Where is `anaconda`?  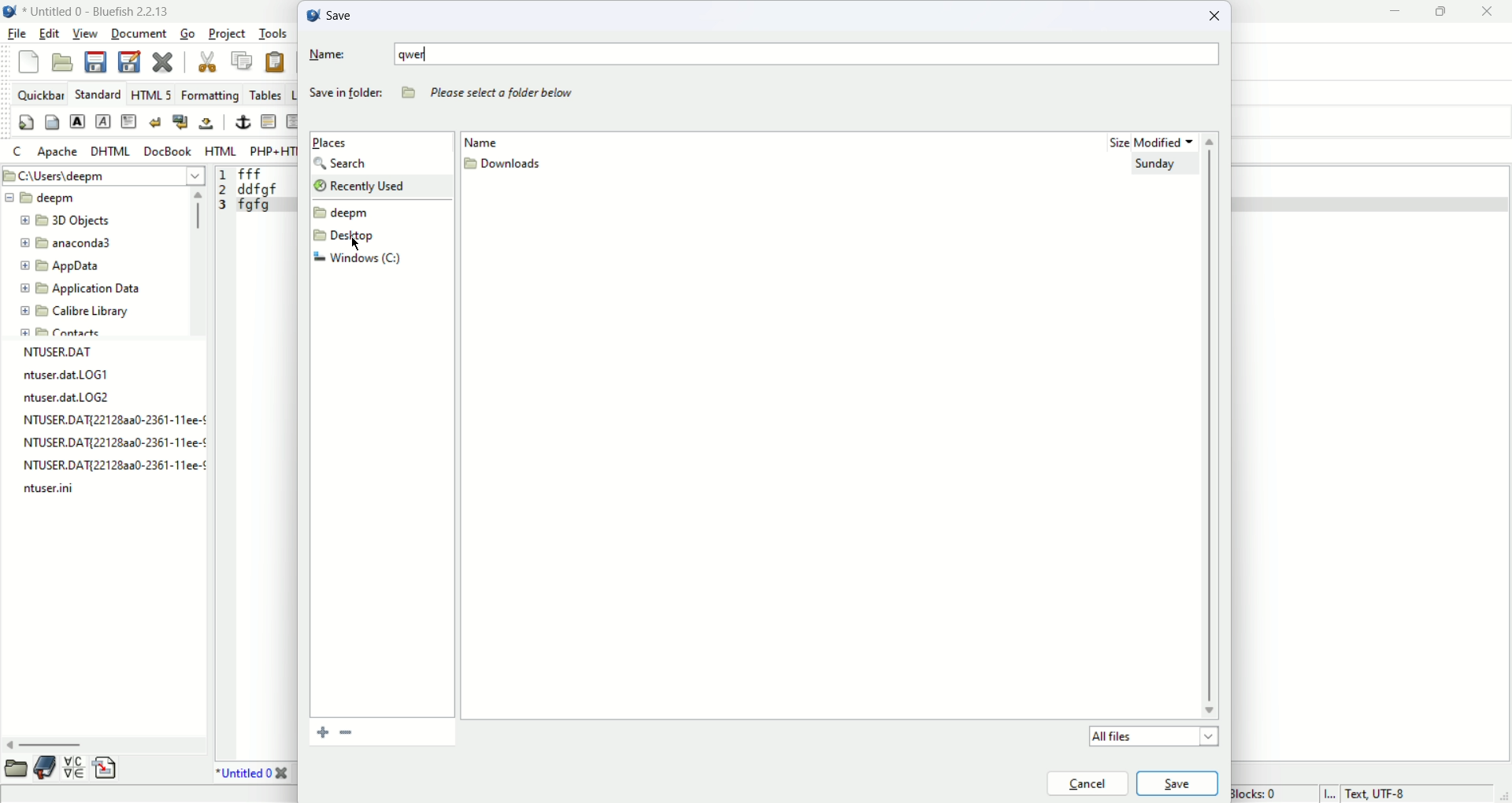
anaconda is located at coordinates (66, 244).